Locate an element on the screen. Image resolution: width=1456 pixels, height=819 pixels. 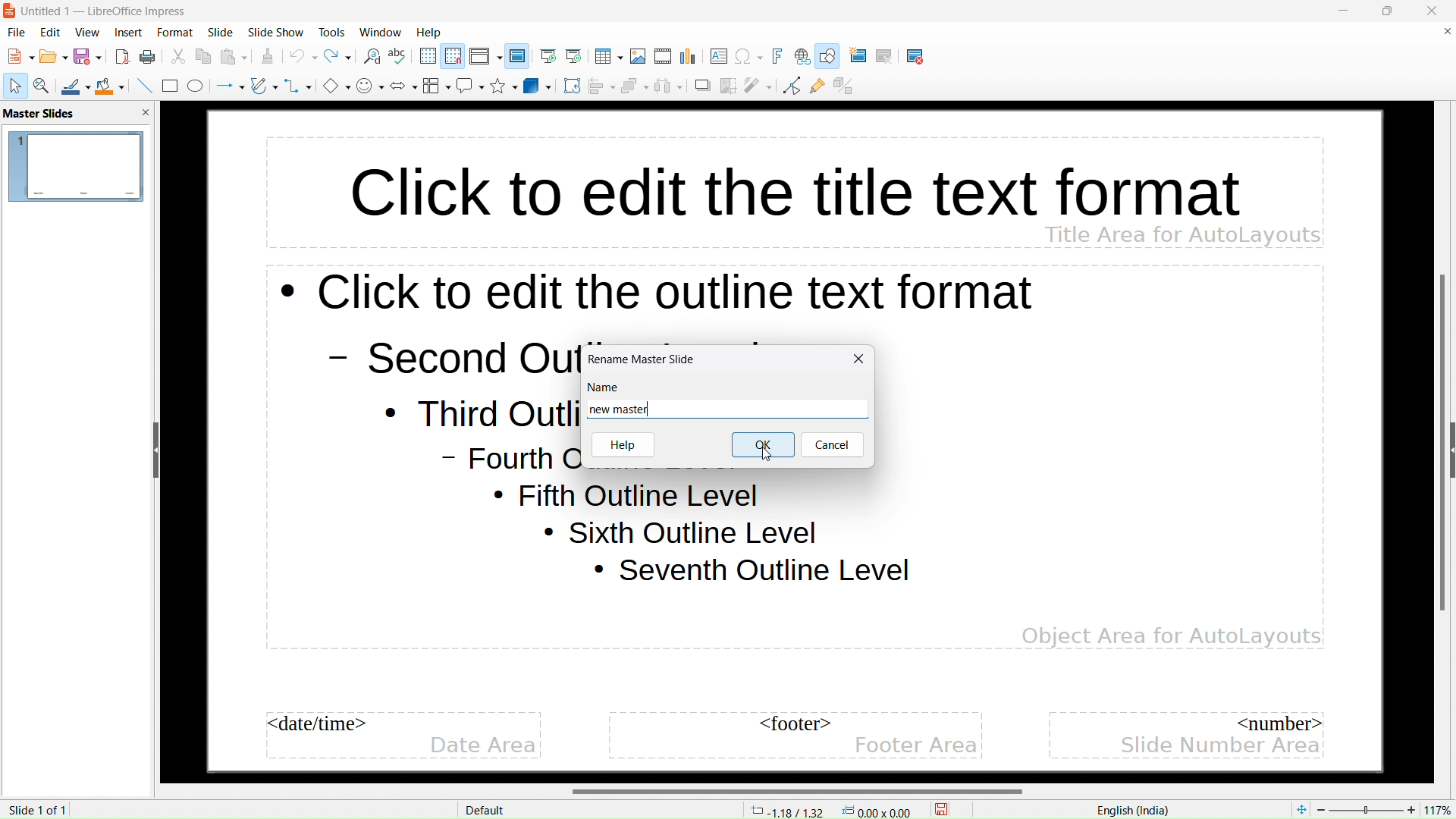
name is located at coordinates (607, 387).